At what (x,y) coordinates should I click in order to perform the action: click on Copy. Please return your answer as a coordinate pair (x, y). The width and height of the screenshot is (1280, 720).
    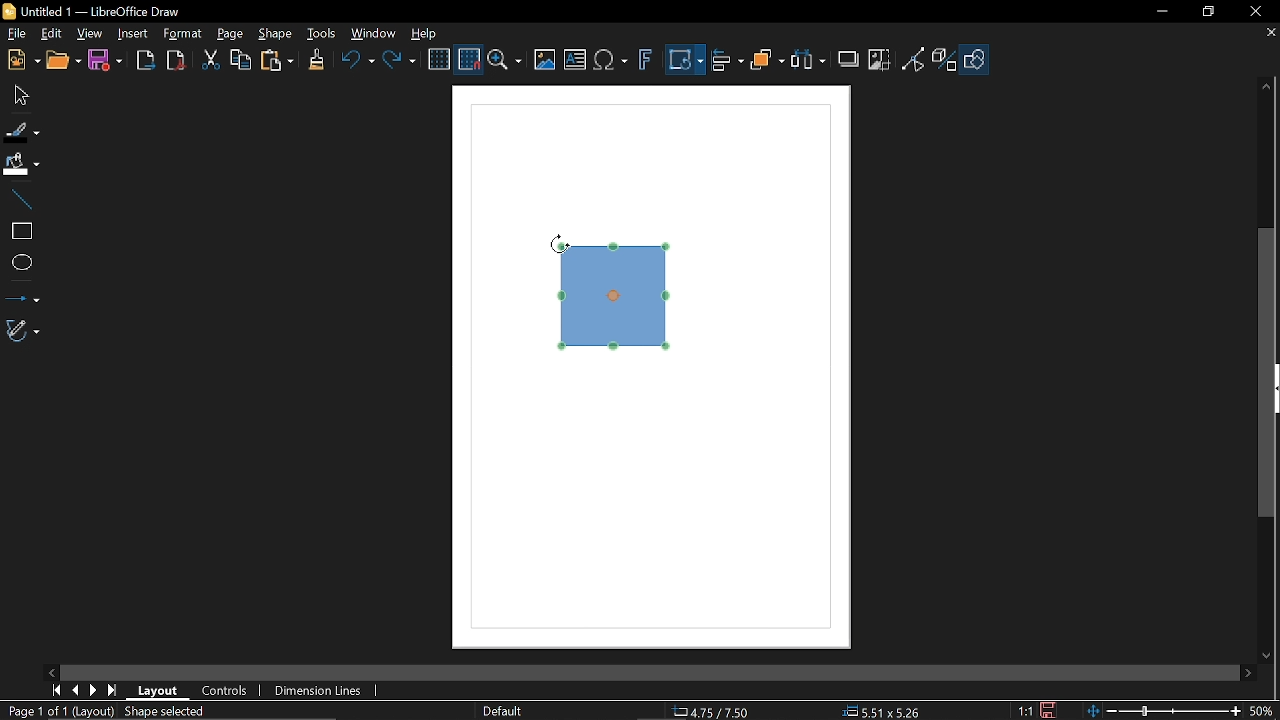
    Looking at the image, I should click on (241, 61).